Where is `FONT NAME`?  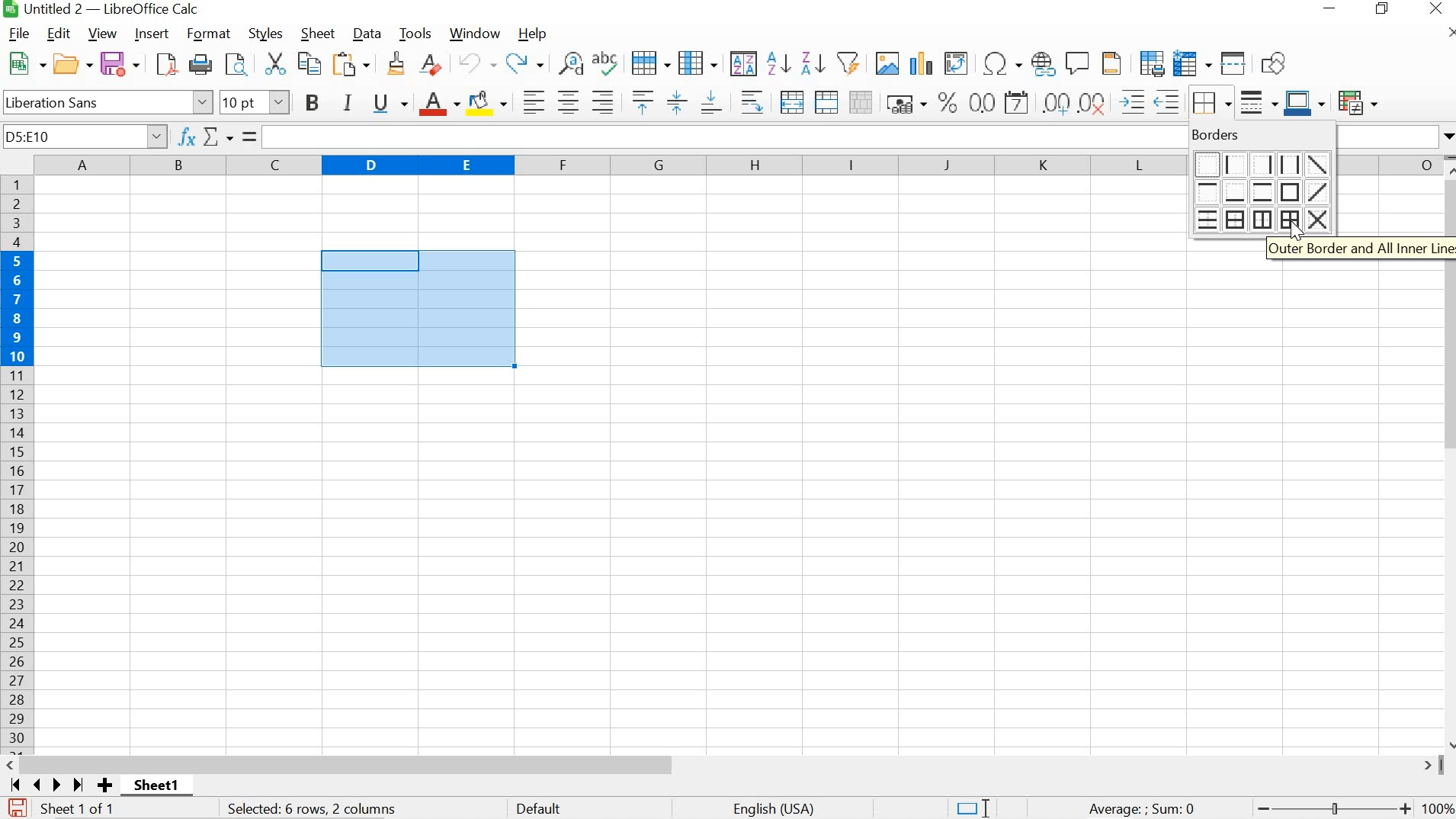
FONT NAME is located at coordinates (108, 101).